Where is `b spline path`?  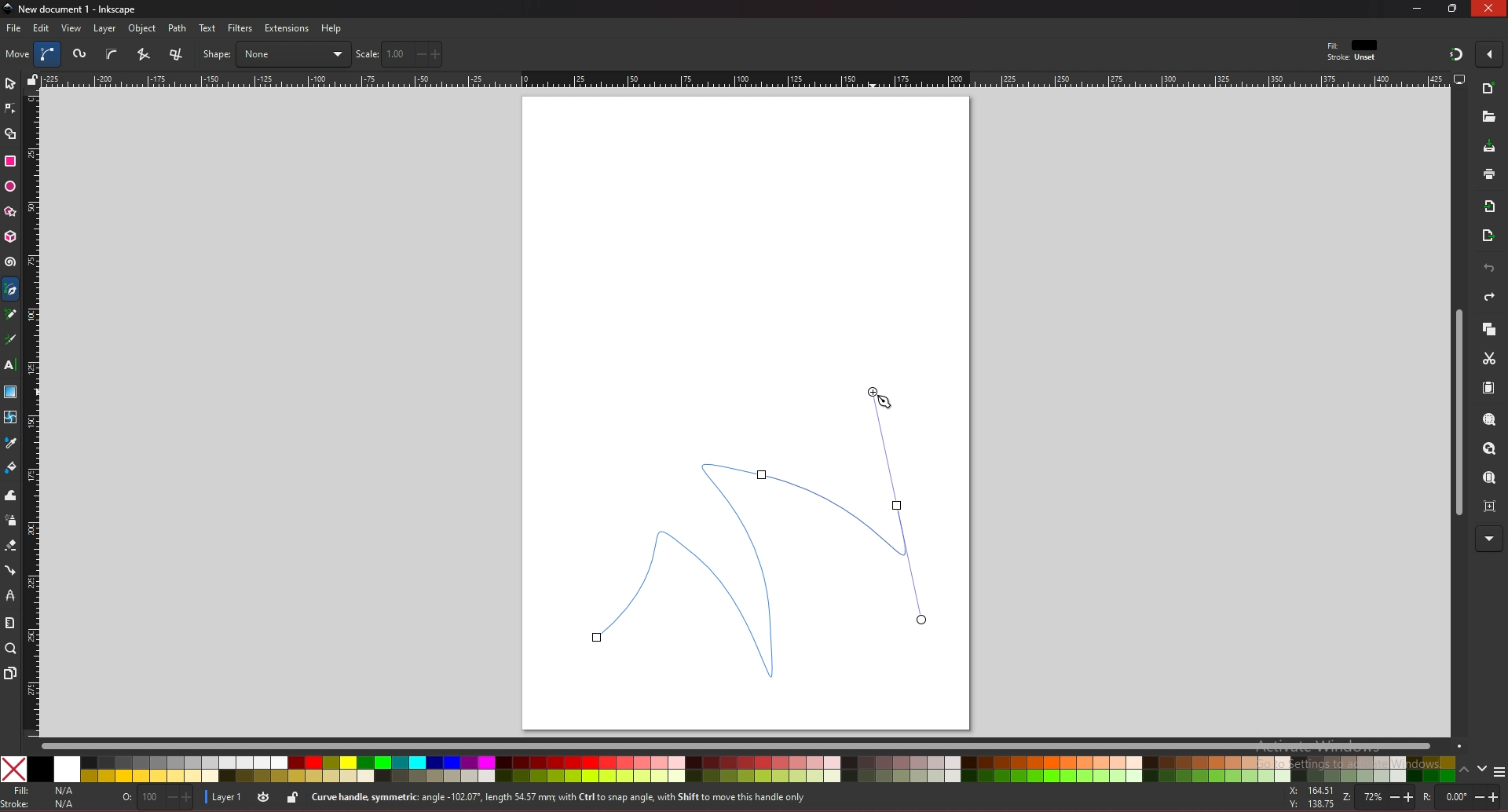
b spline path is located at coordinates (112, 53).